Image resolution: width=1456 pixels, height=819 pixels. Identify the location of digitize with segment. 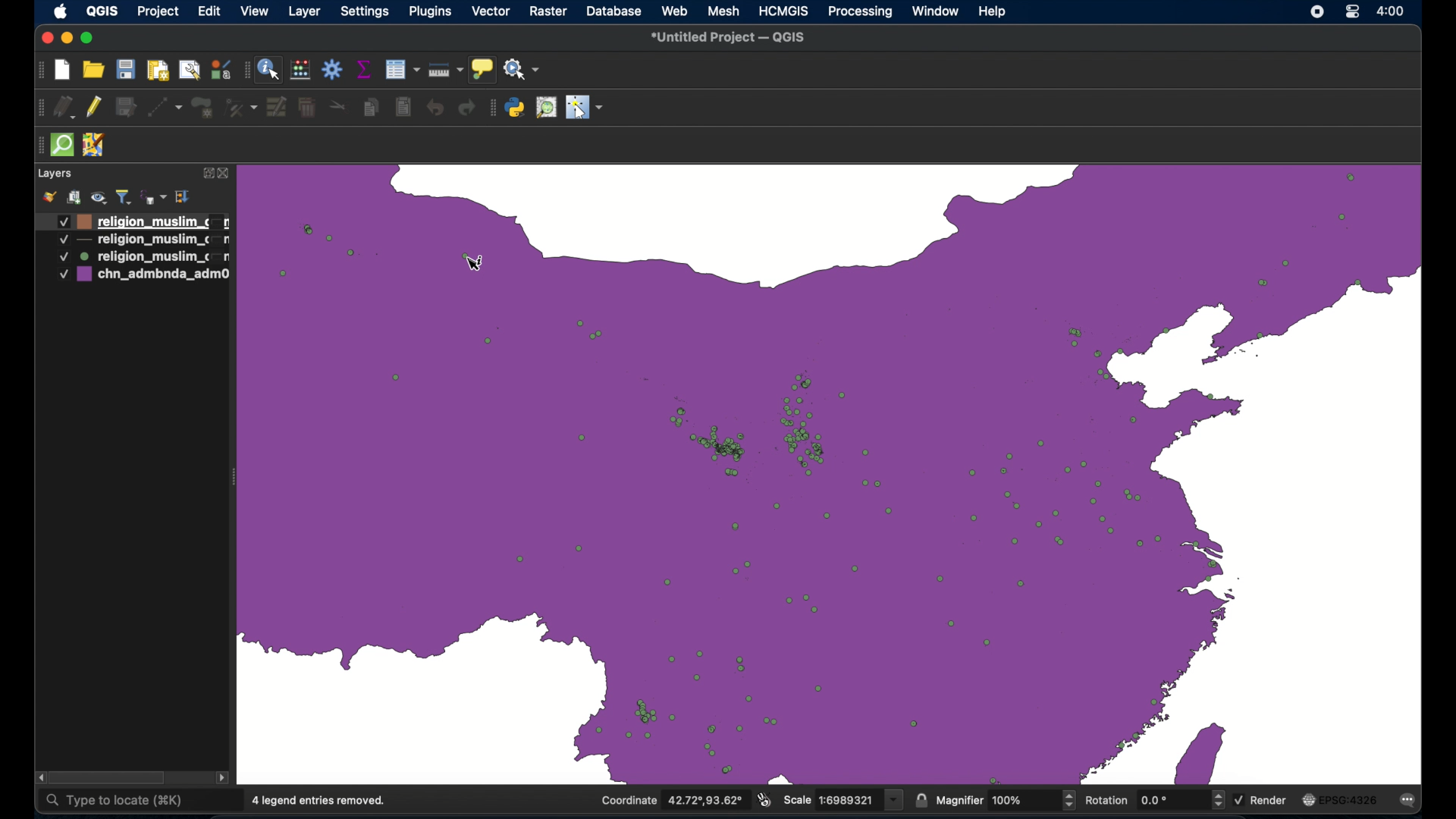
(166, 106).